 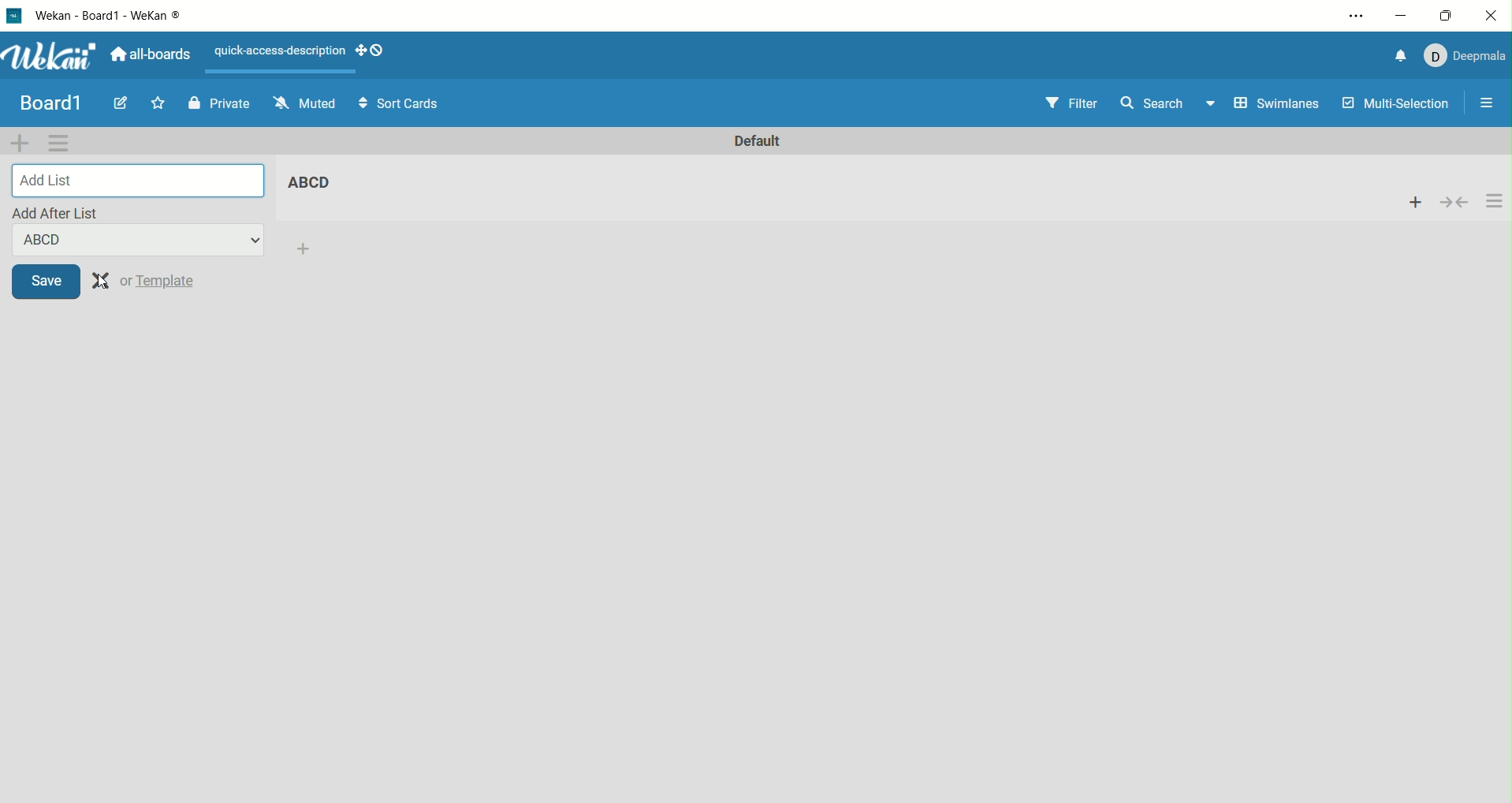 I want to click on minimize, so click(x=1403, y=17).